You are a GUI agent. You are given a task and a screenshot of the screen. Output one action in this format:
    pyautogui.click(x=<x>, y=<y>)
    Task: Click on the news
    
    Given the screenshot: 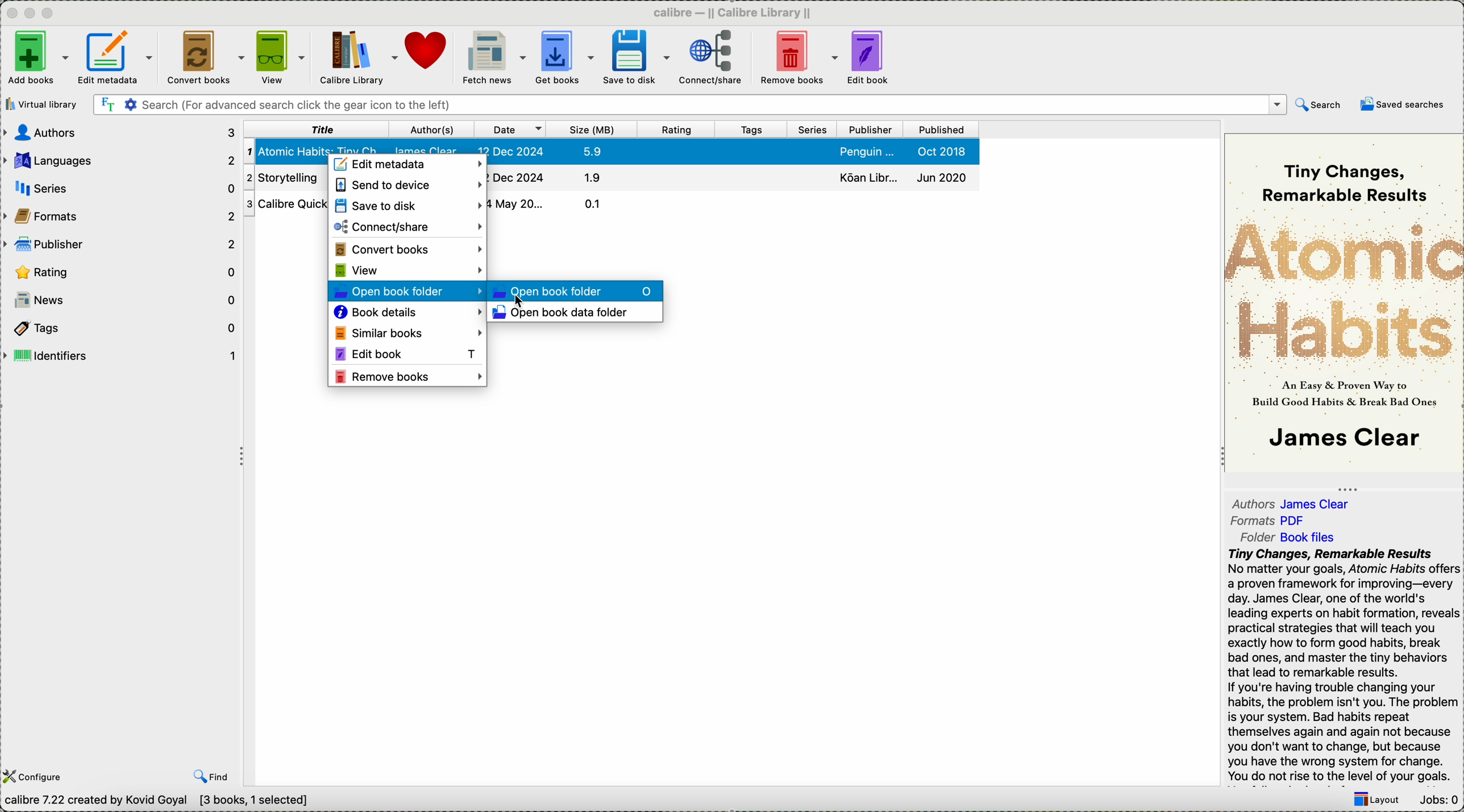 What is the action you would take?
    pyautogui.click(x=121, y=300)
    